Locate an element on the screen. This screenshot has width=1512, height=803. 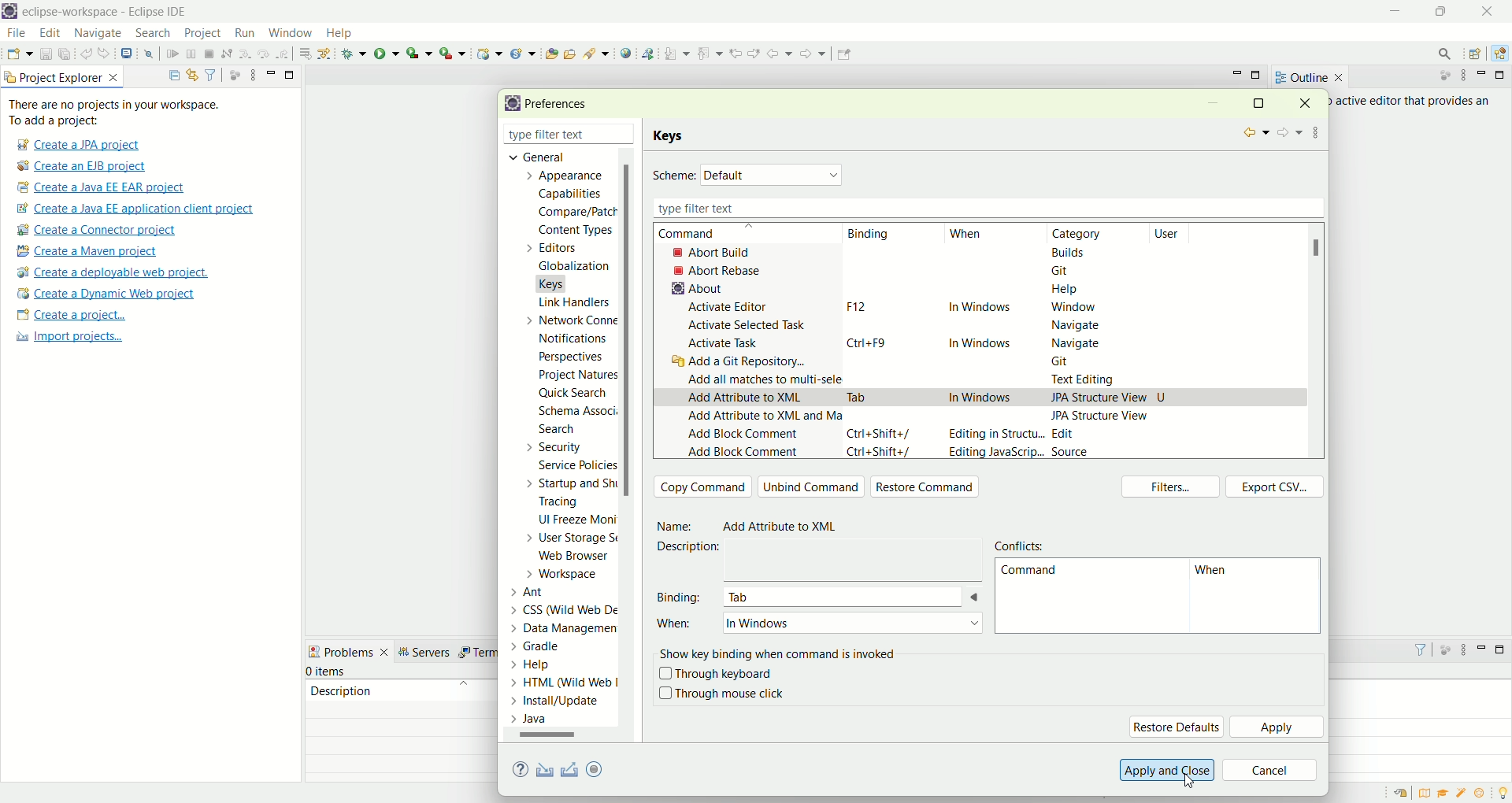
open a terminal is located at coordinates (125, 54).